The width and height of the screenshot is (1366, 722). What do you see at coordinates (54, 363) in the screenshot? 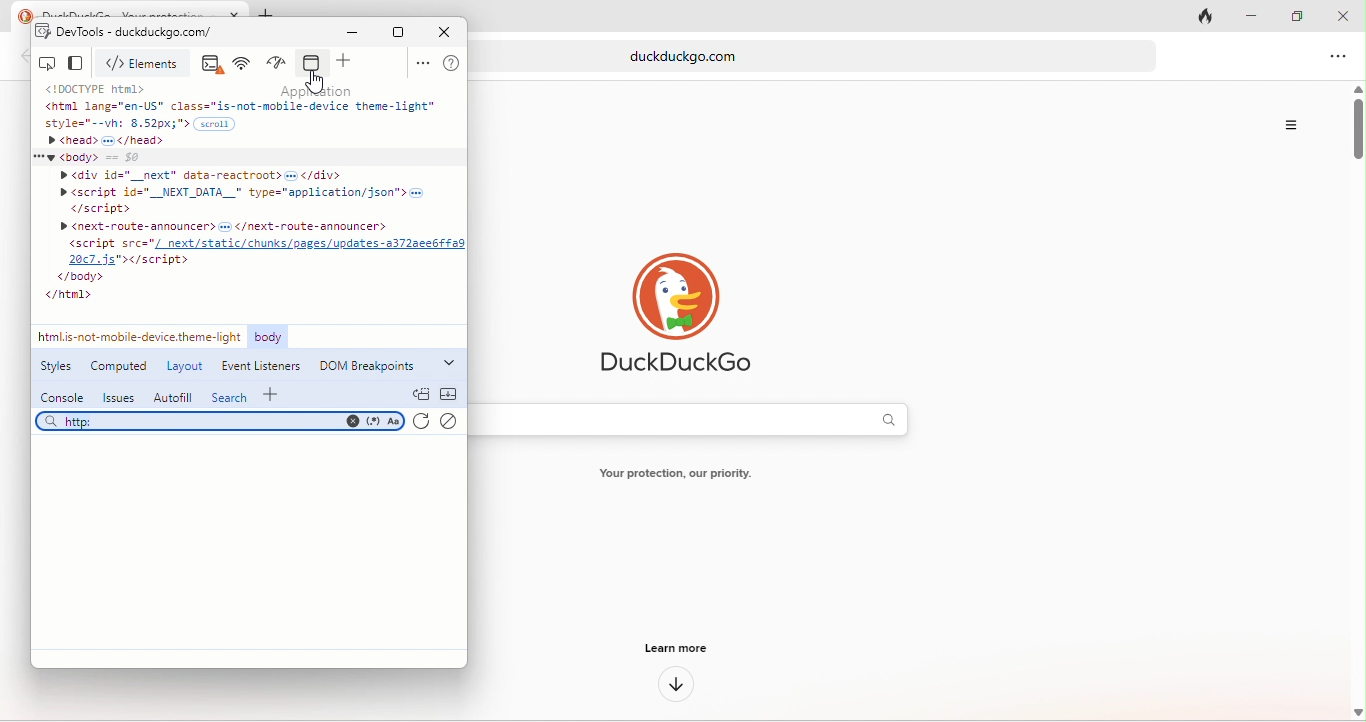
I see `styles` at bounding box center [54, 363].